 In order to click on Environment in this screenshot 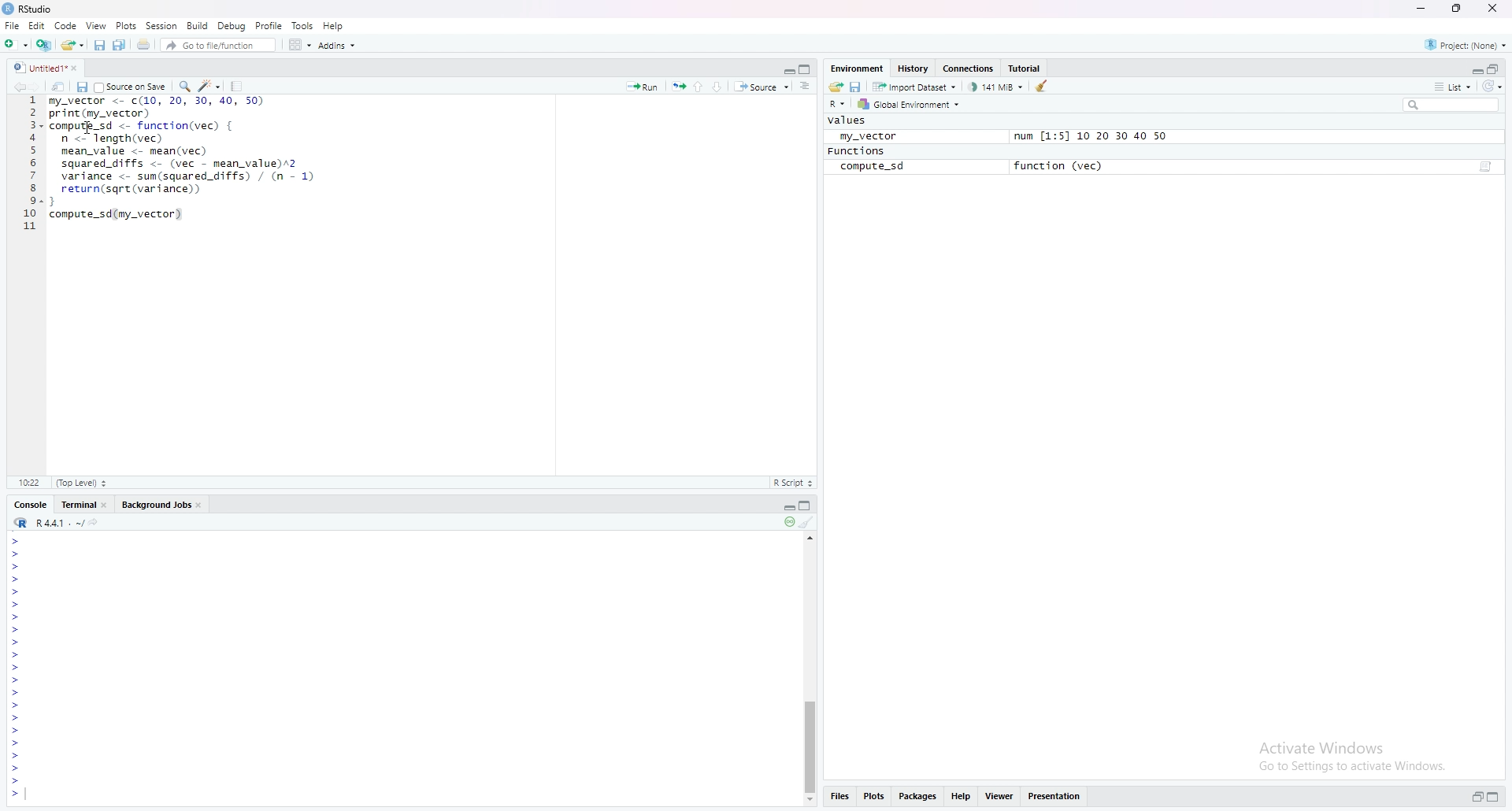, I will do `click(857, 67)`.